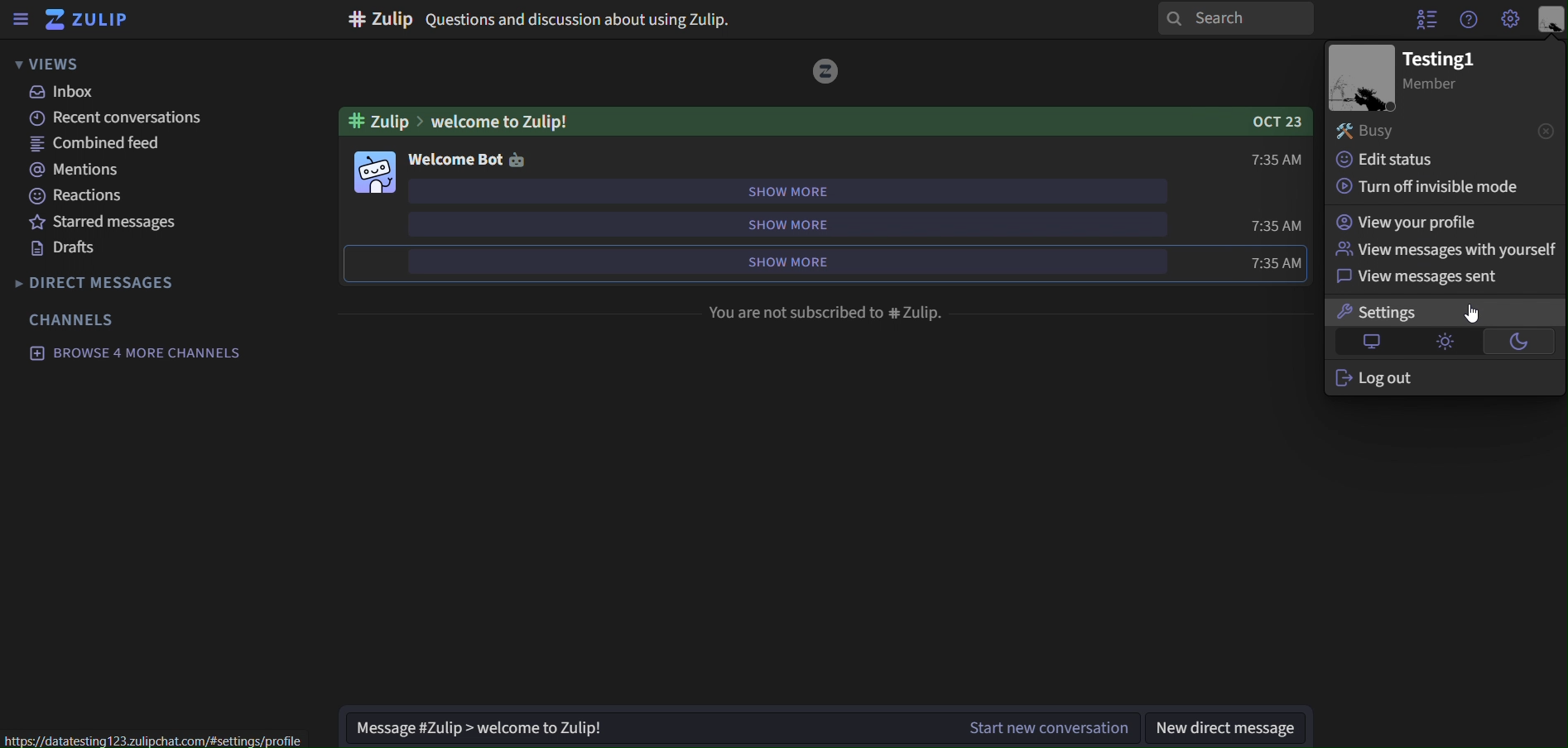 This screenshot has width=1568, height=748. I want to click on log out, so click(1402, 379).